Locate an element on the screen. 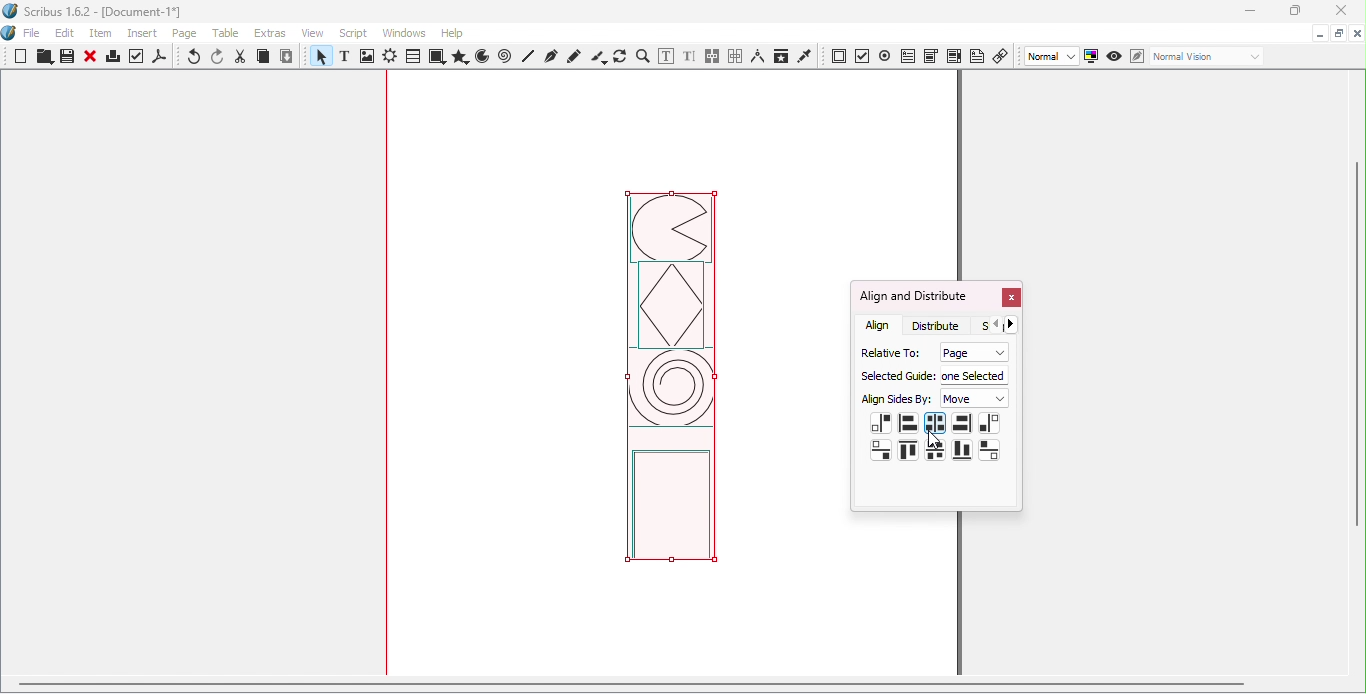 Image resolution: width=1366 pixels, height=694 pixels. Go back is located at coordinates (996, 325).